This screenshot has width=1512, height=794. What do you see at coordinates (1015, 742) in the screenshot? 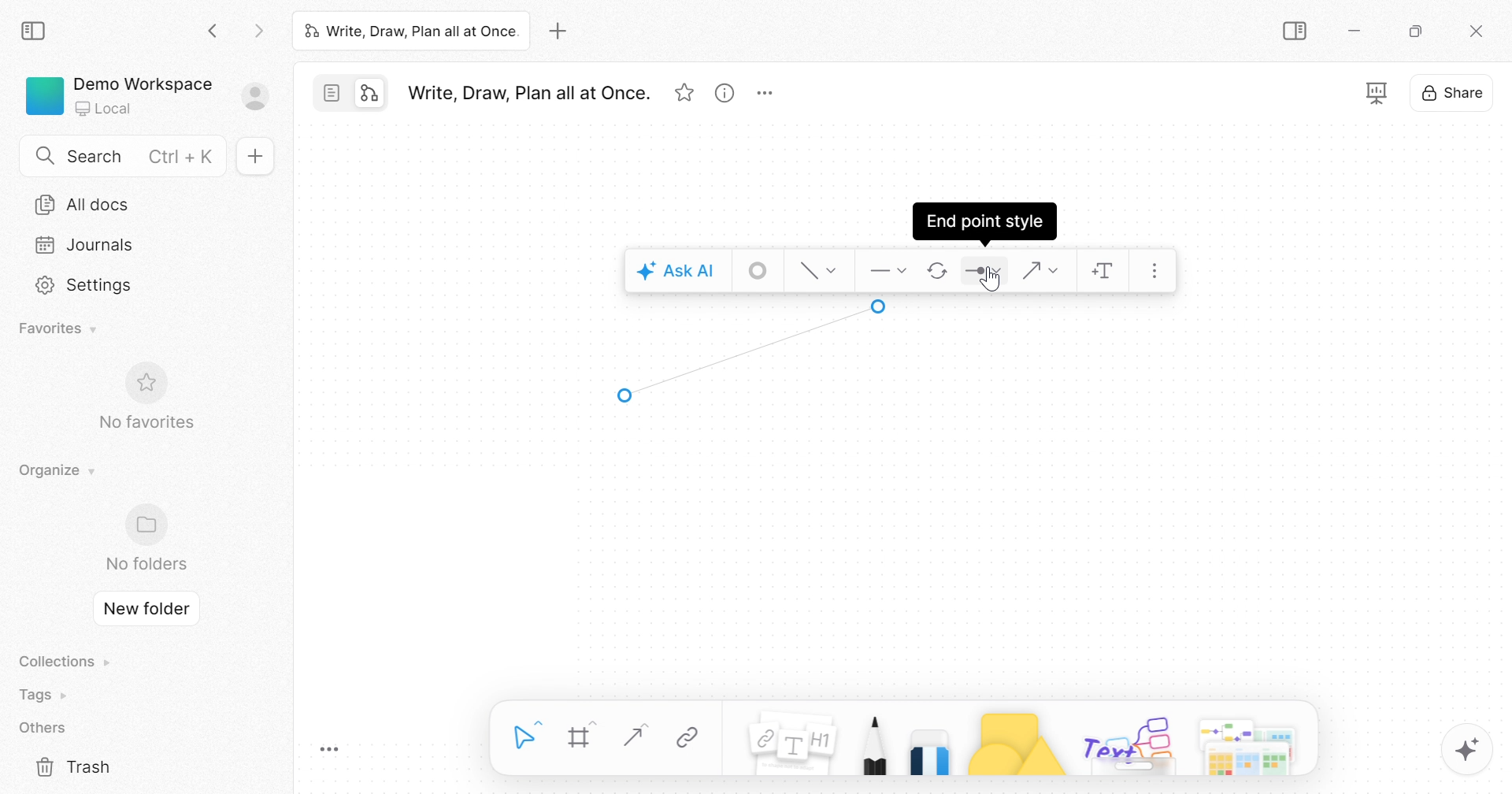
I see `Shape` at bounding box center [1015, 742].